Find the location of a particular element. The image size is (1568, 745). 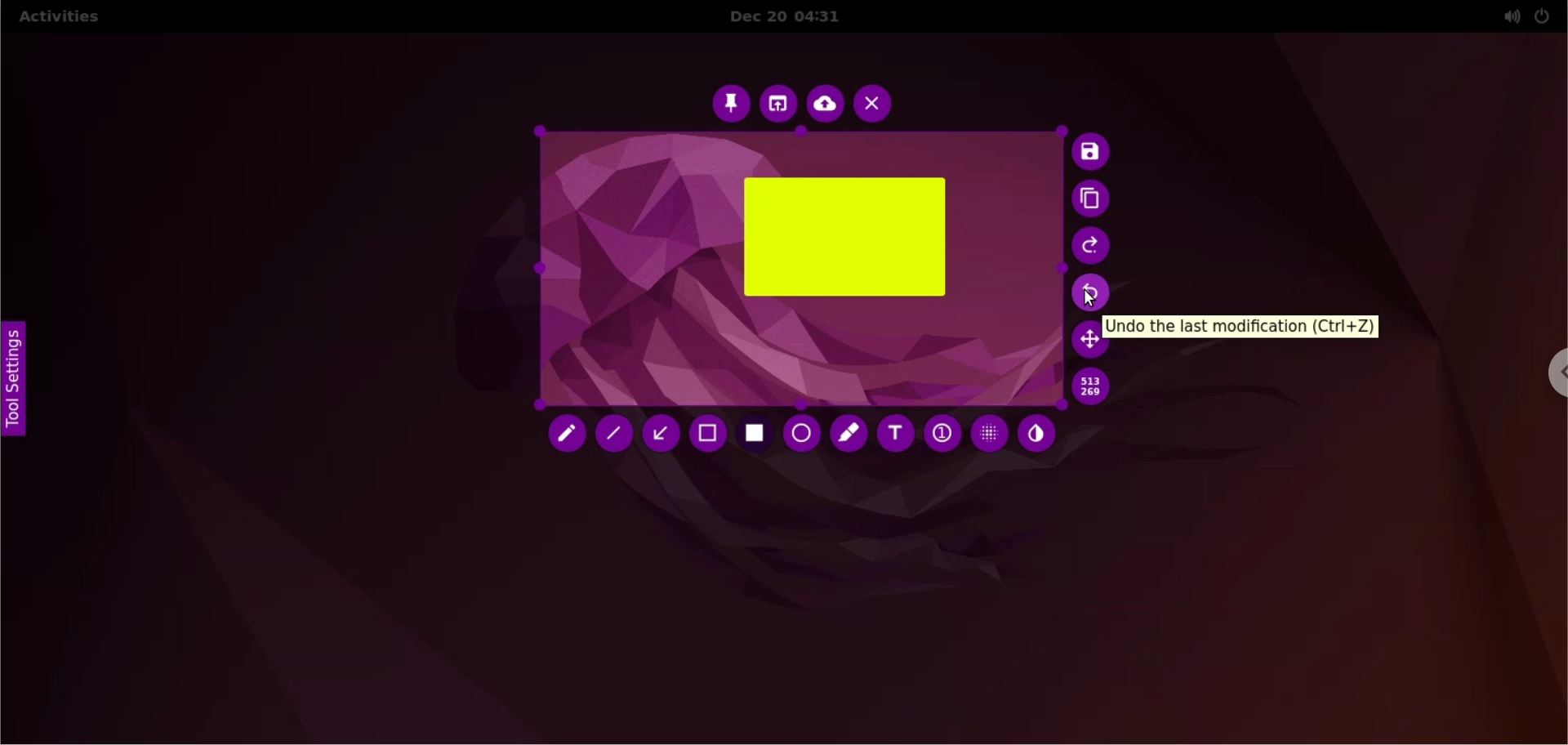

selection tool is located at coordinates (707, 436).